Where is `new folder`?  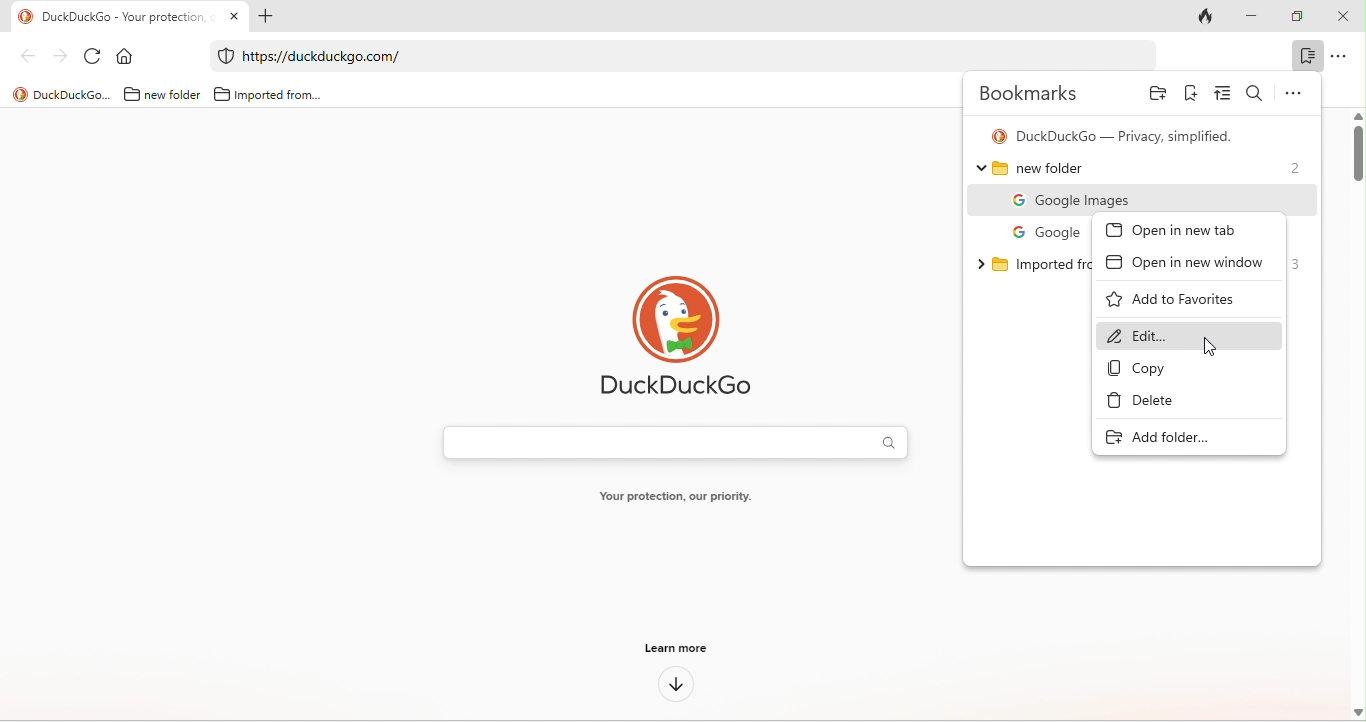
new folder is located at coordinates (159, 94).